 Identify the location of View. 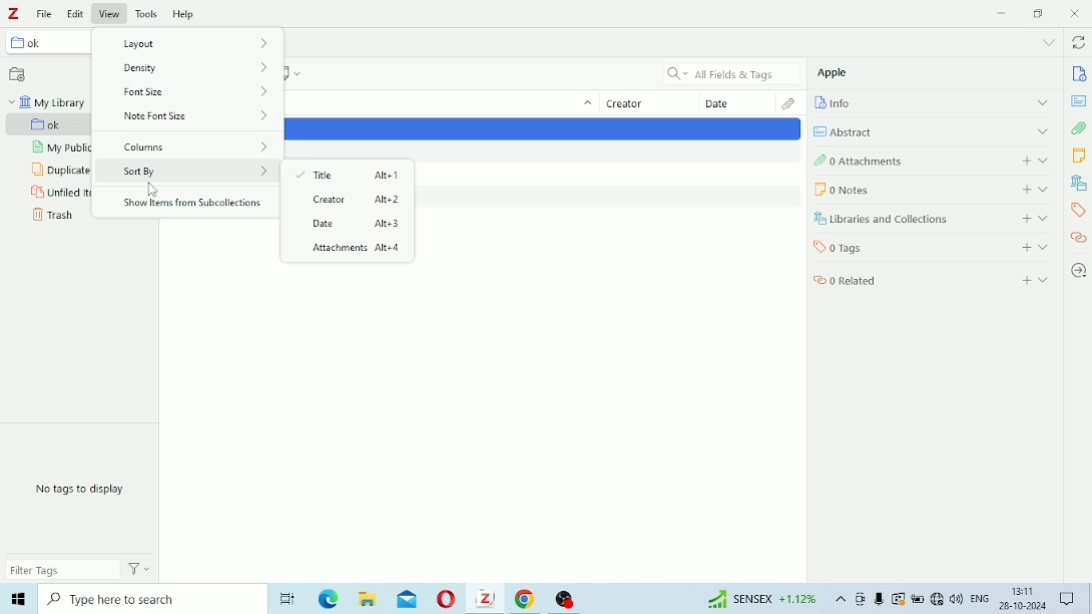
(110, 12).